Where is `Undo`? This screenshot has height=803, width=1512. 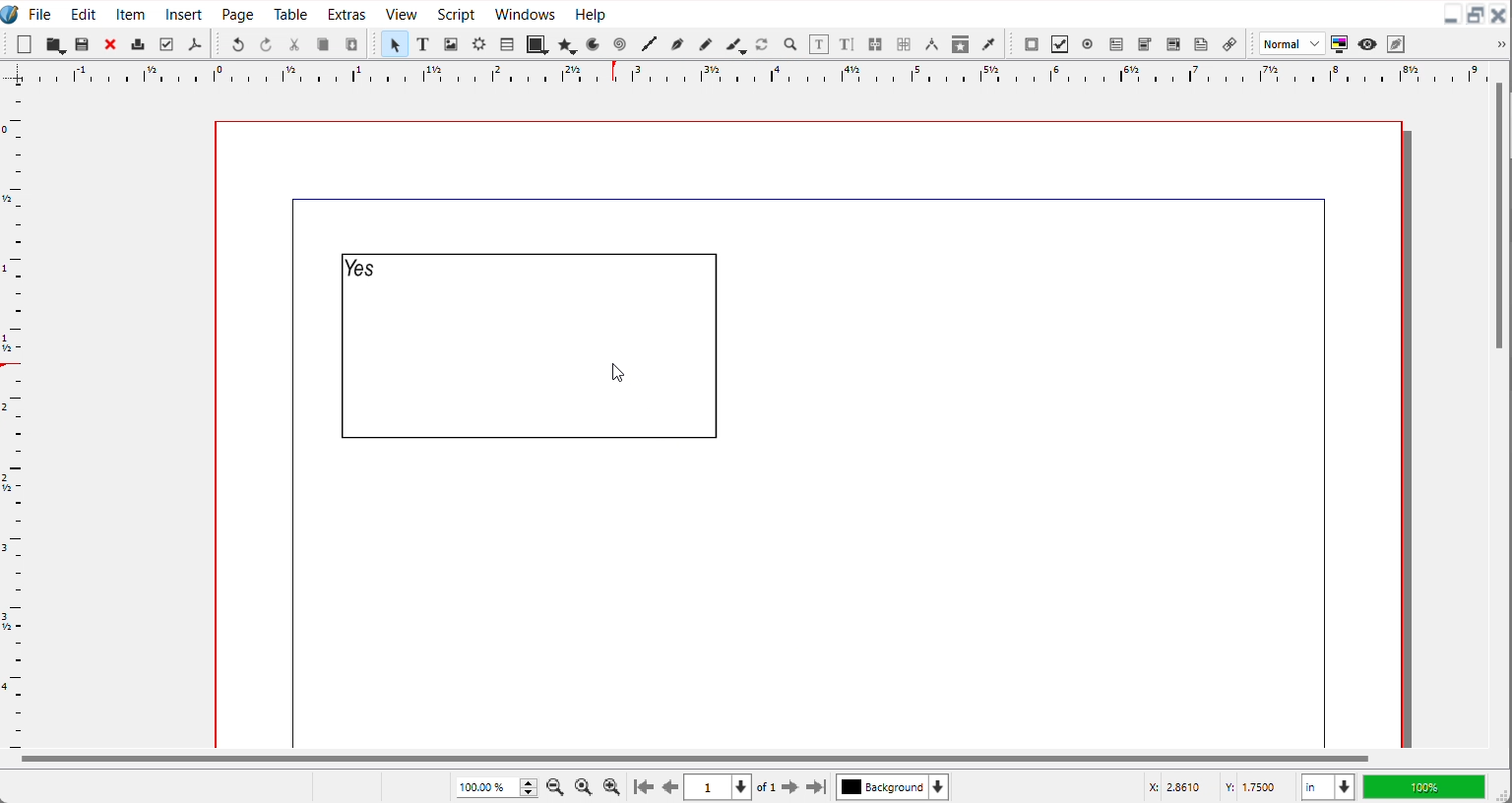
Undo is located at coordinates (237, 43).